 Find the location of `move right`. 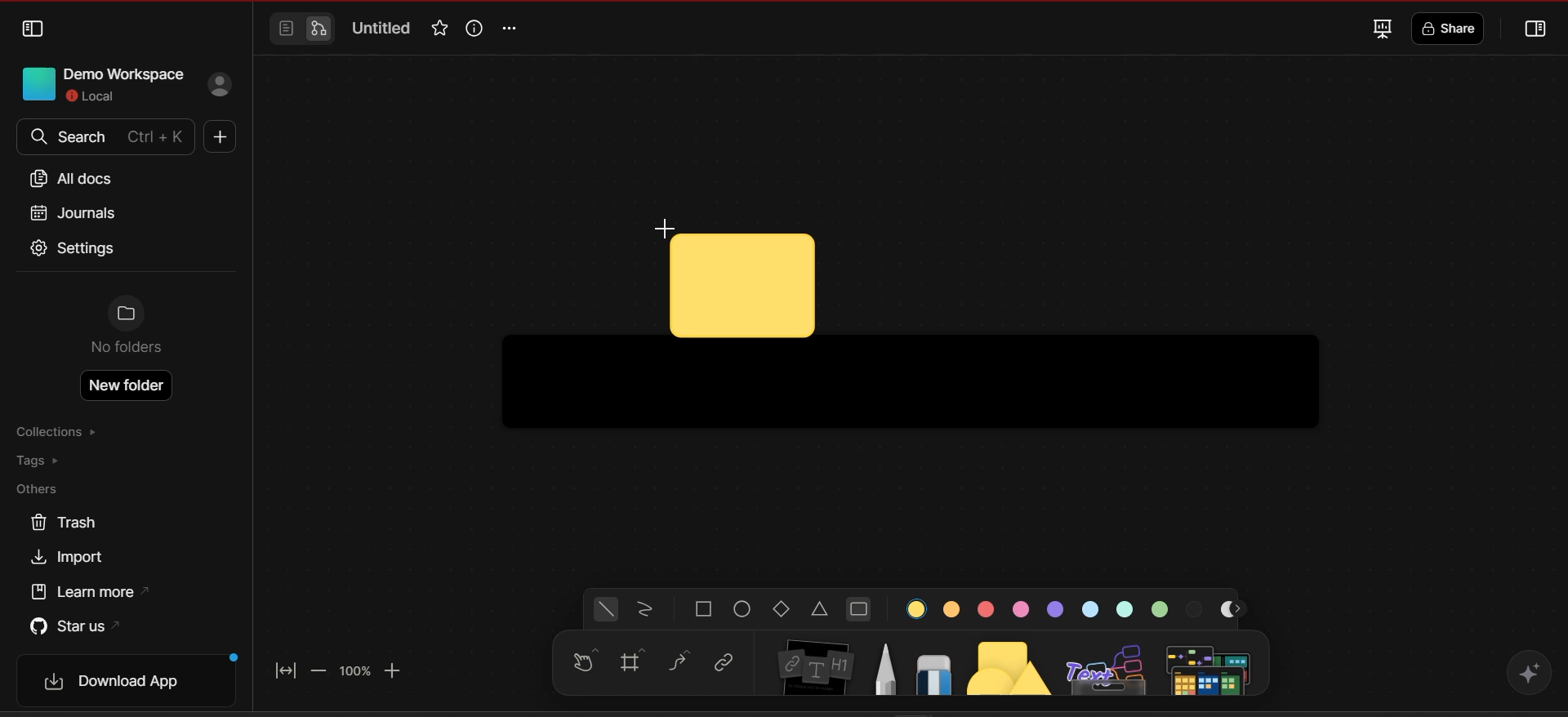

move right is located at coordinates (1241, 609).